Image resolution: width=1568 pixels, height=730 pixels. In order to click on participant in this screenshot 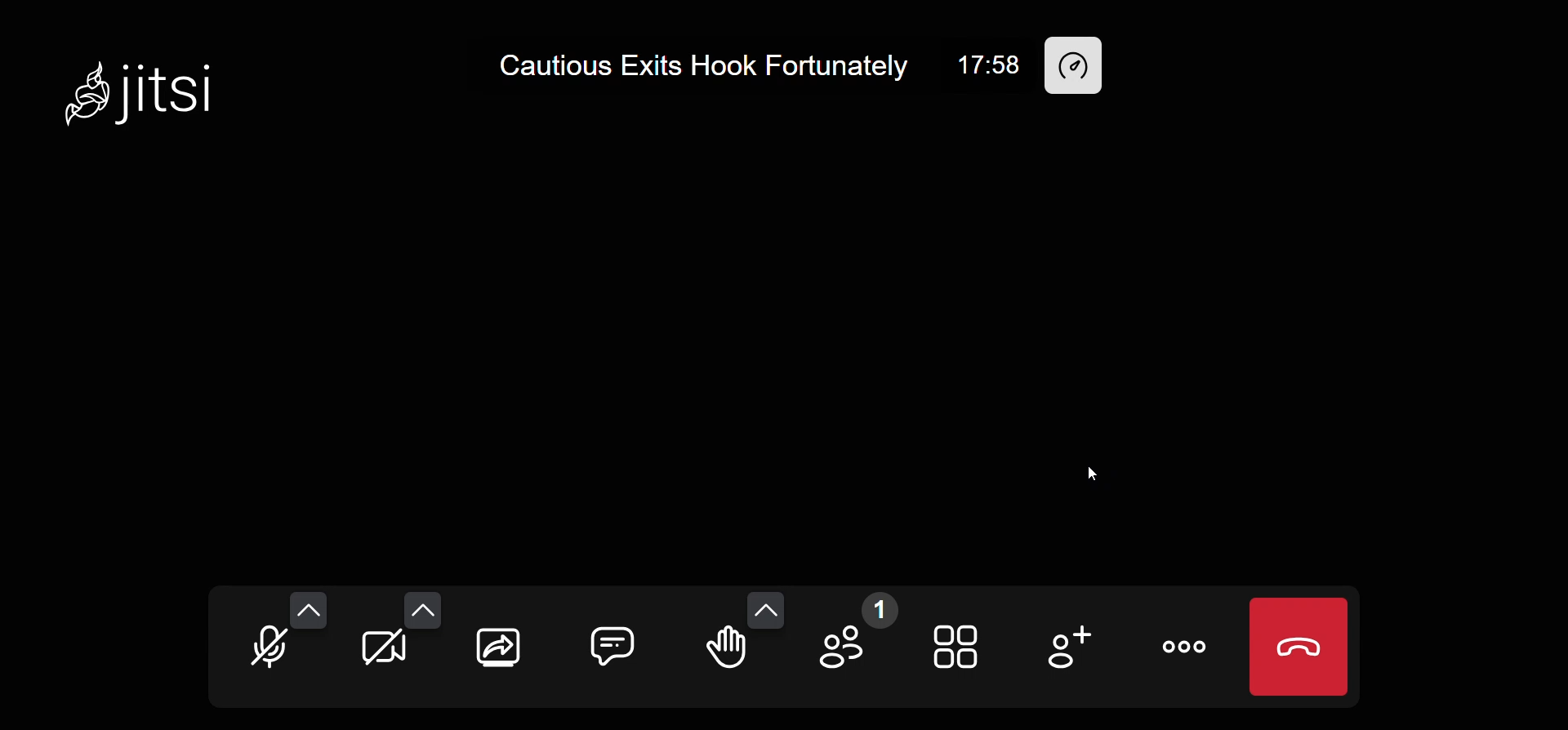, I will do `click(853, 638)`.